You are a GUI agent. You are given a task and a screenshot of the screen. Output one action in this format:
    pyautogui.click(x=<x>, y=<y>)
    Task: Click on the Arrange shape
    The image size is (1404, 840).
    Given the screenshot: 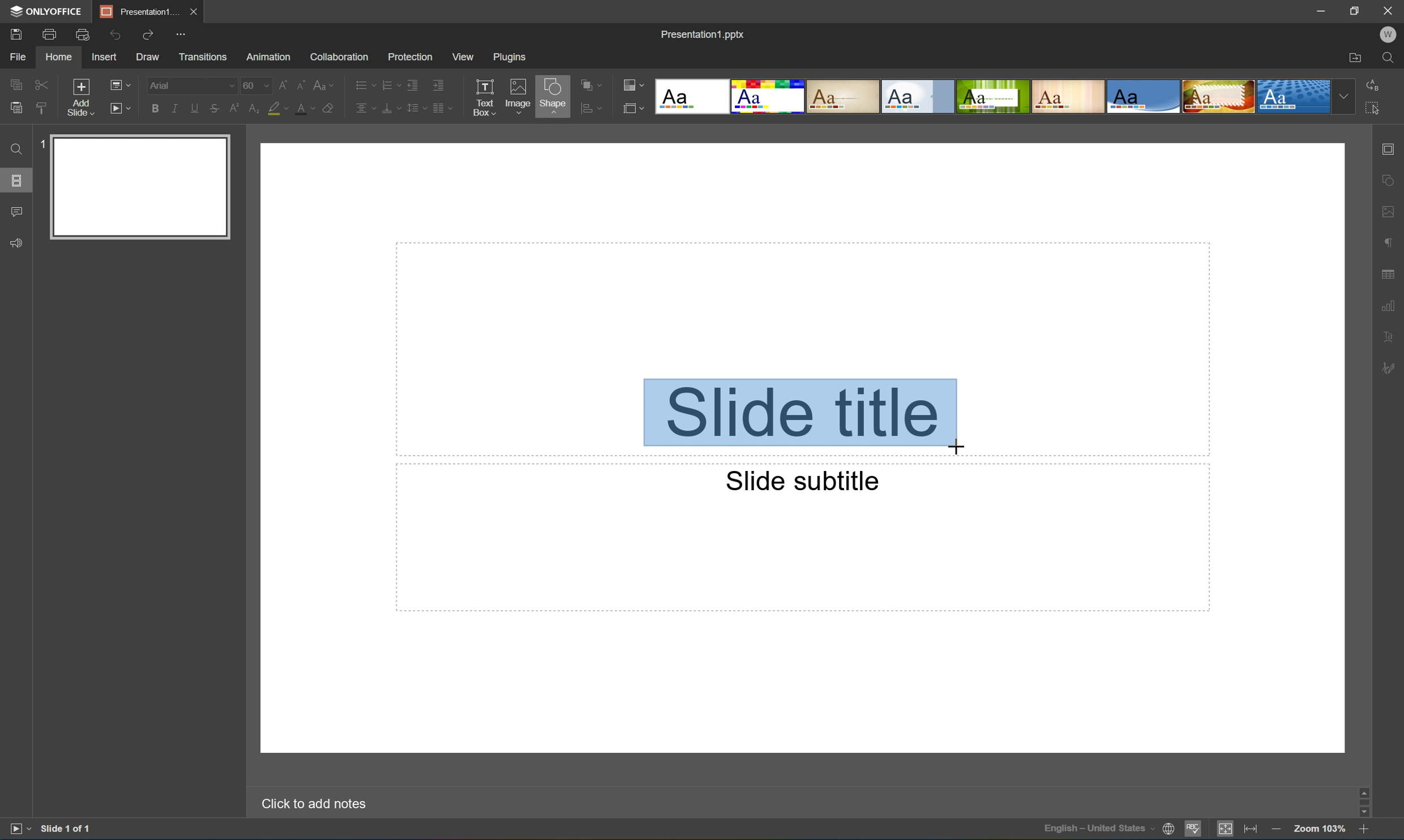 What is the action you would take?
    pyautogui.click(x=590, y=86)
    